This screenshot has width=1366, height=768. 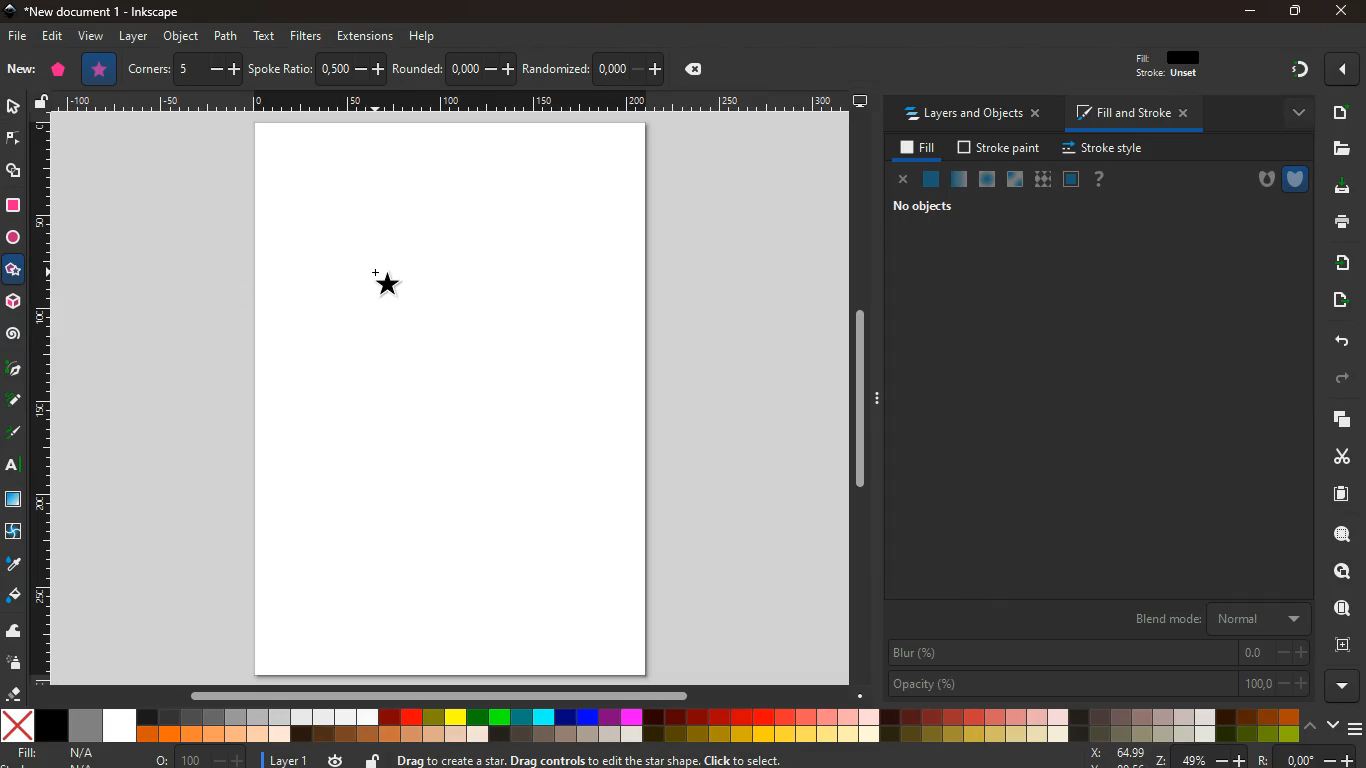 What do you see at coordinates (1333, 726) in the screenshot?
I see `down` at bounding box center [1333, 726].